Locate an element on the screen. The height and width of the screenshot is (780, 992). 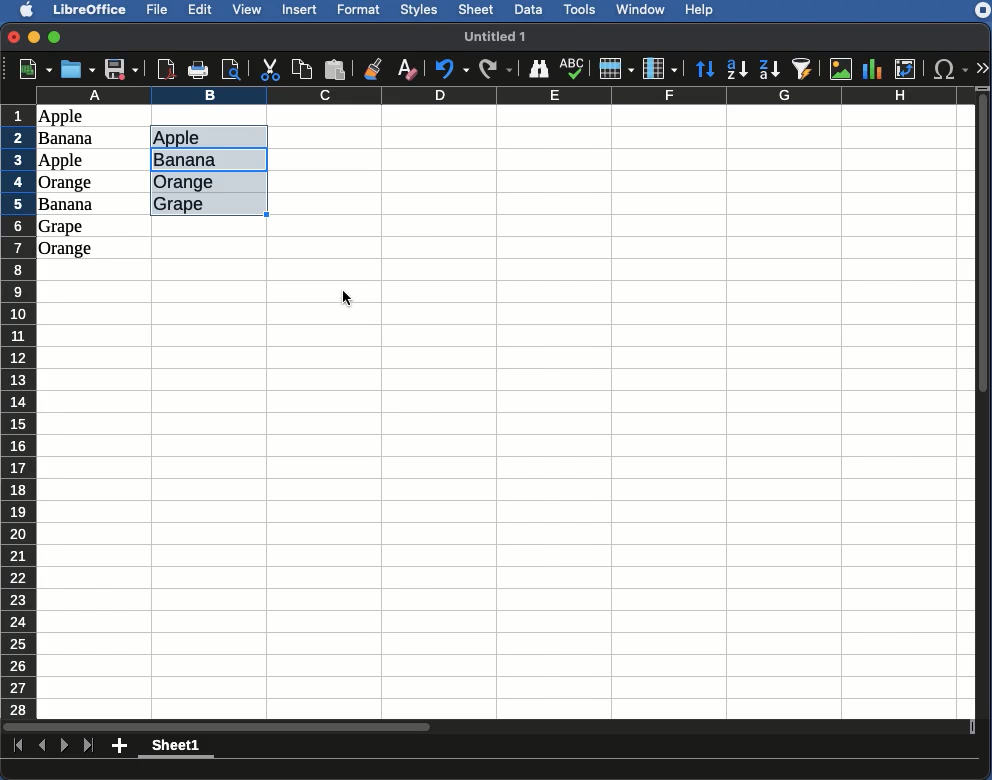
Sheet1 is located at coordinates (177, 748).